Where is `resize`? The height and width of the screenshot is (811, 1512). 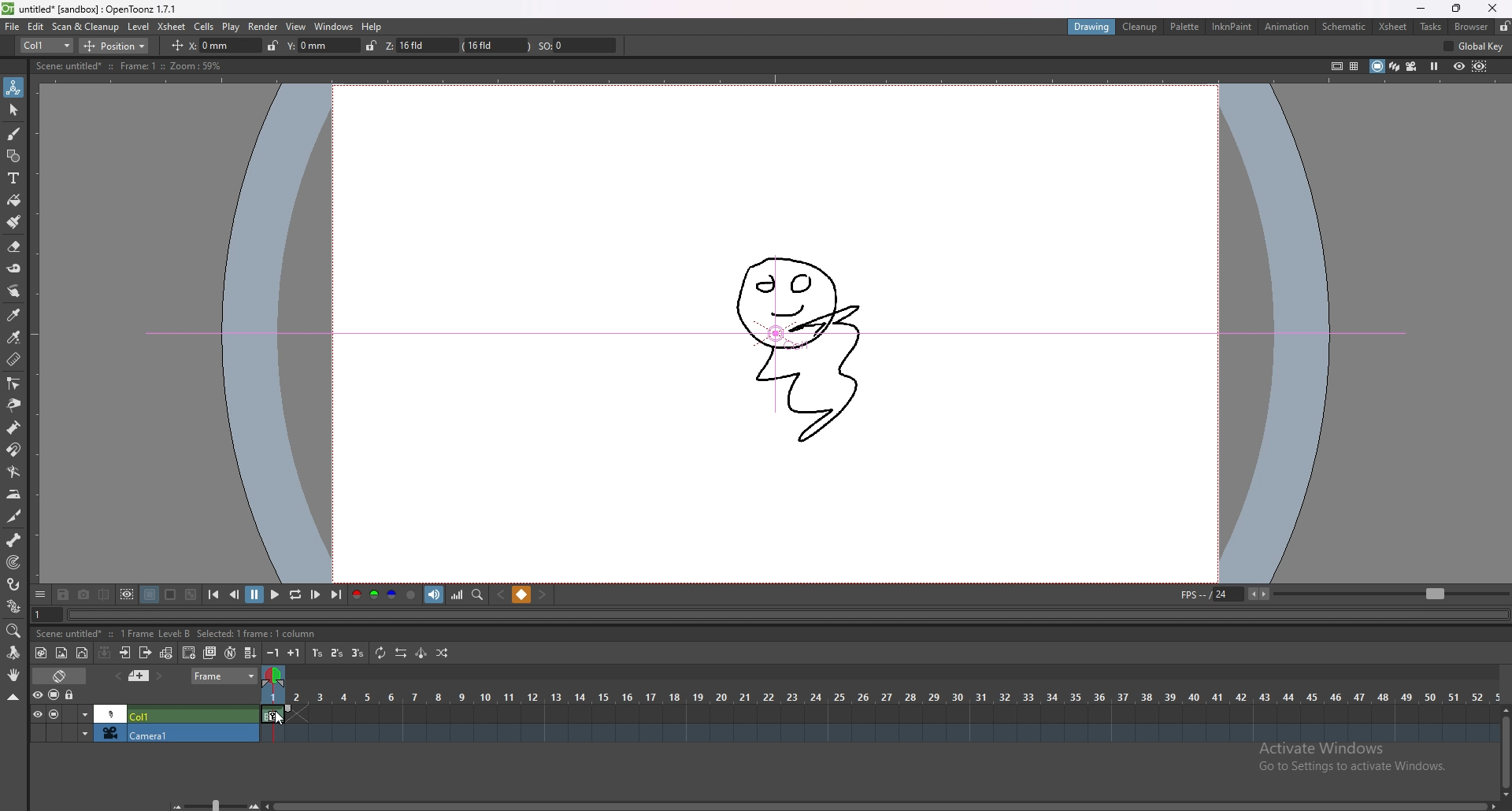
resize is located at coordinates (1454, 9).